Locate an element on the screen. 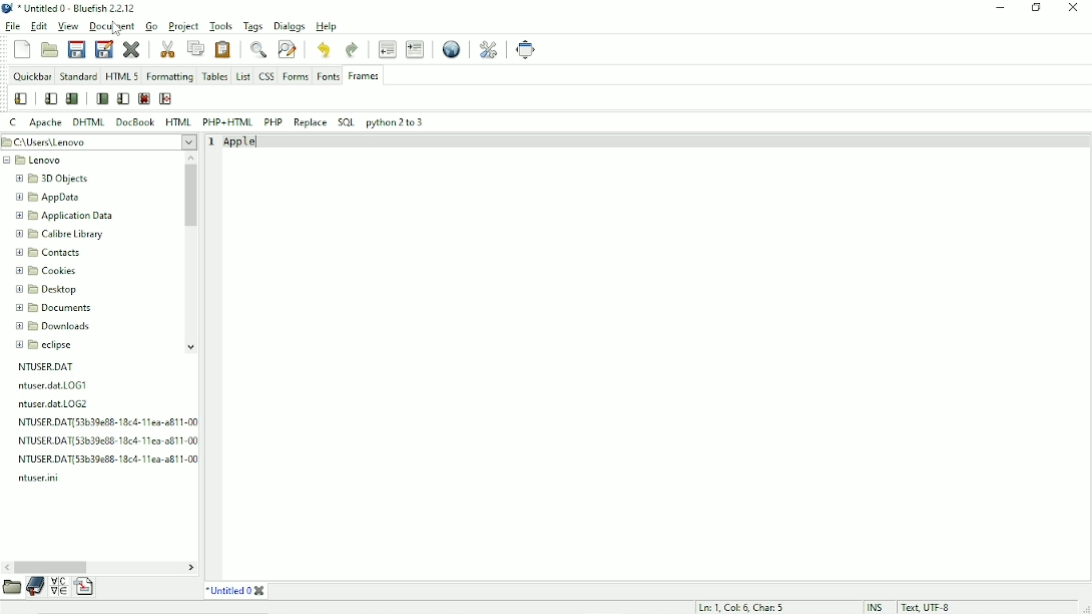 The width and height of the screenshot is (1092, 614). Folder is located at coordinates (98, 142).